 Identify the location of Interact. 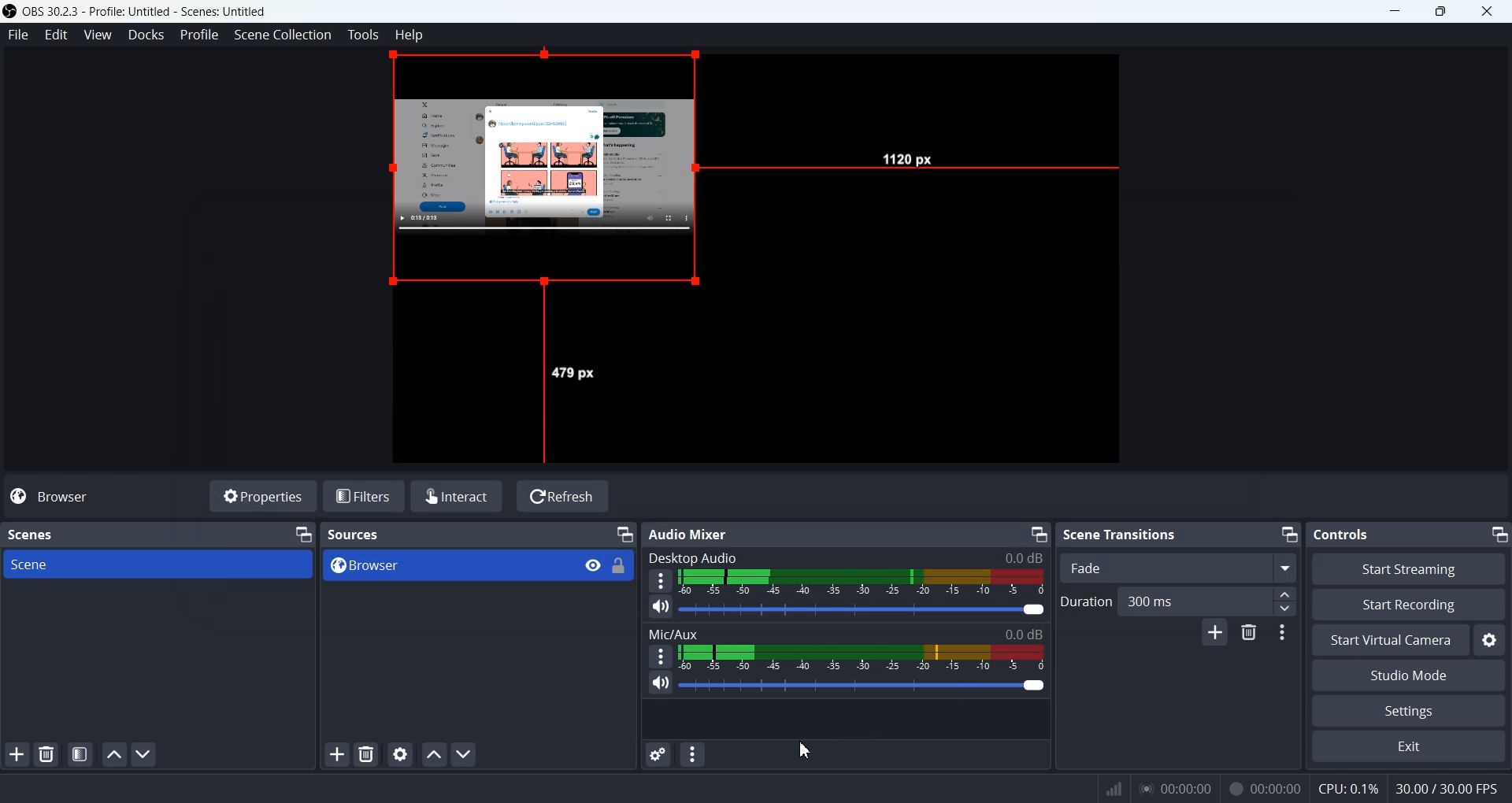
(460, 495).